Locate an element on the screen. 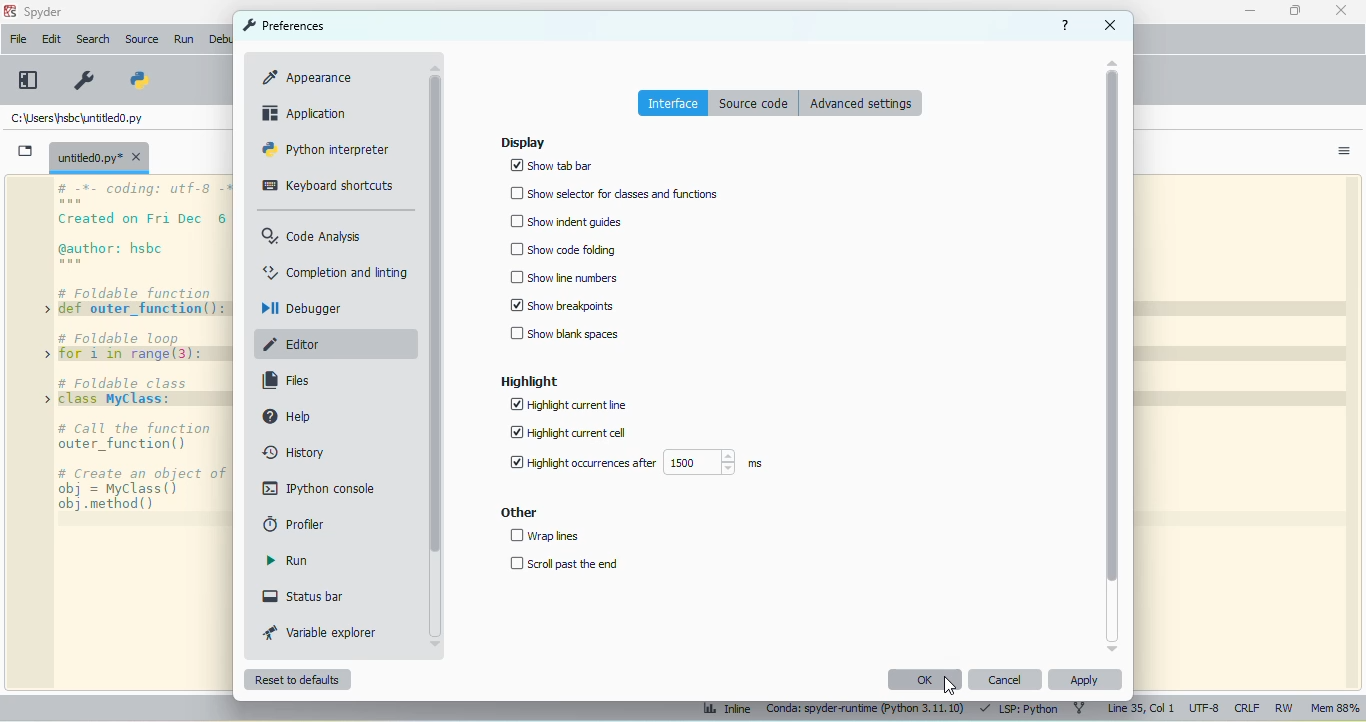 The height and width of the screenshot is (722, 1366). apply is located at coordinates (1084, 679).